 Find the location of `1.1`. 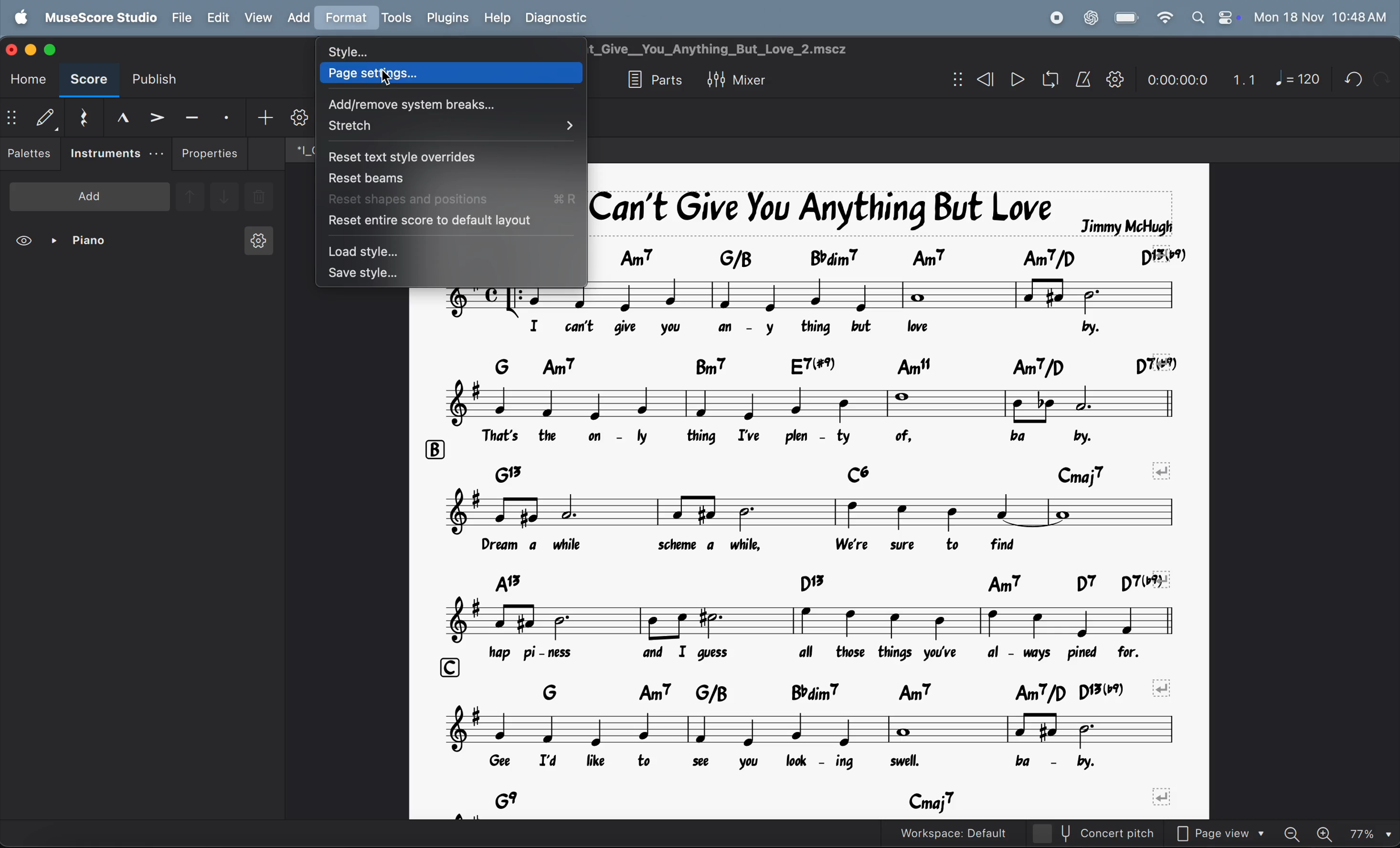

1.1 is located at coordinates (1244, 77).